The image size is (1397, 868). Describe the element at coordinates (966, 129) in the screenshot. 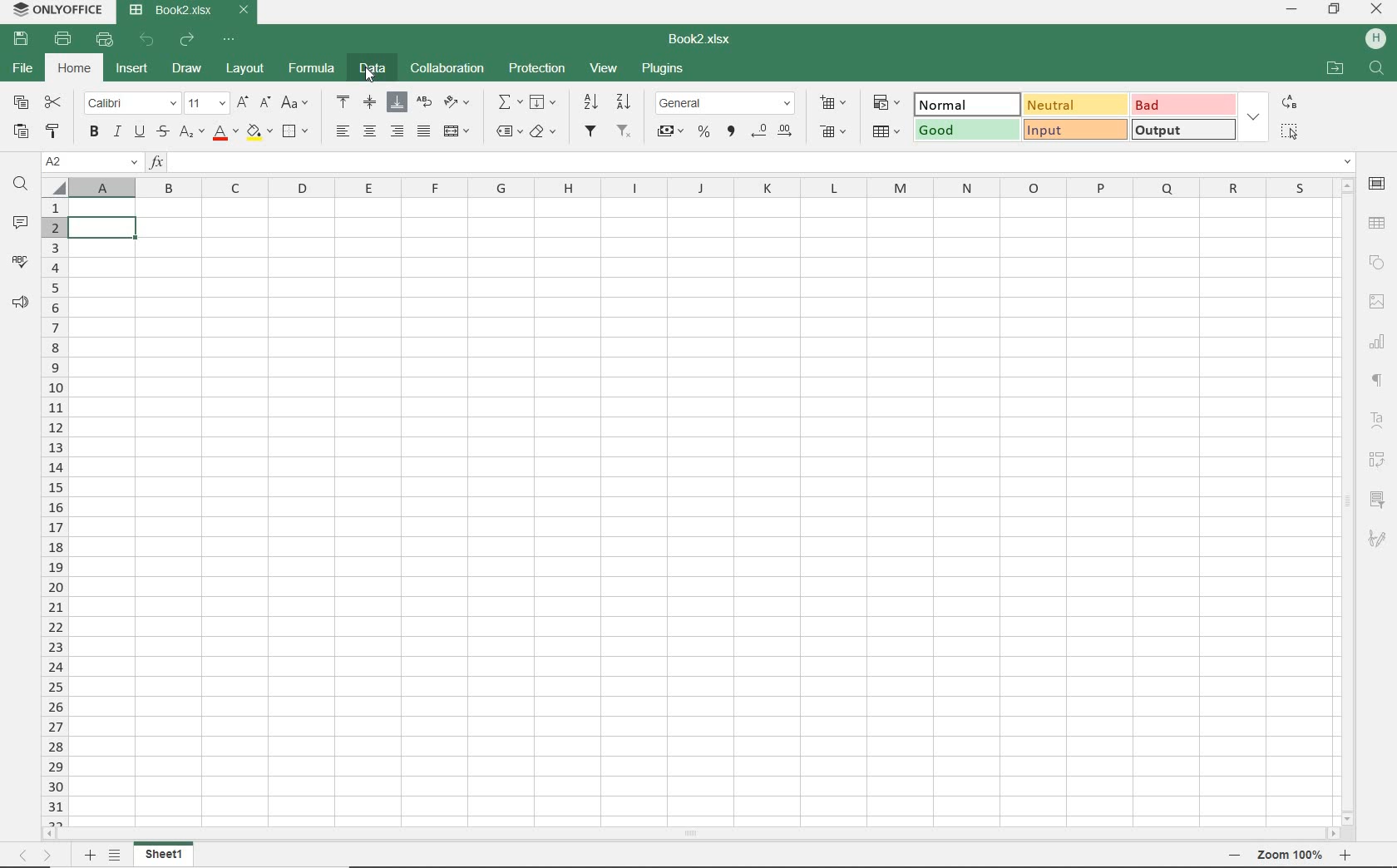

I see `GOOD` at that location.